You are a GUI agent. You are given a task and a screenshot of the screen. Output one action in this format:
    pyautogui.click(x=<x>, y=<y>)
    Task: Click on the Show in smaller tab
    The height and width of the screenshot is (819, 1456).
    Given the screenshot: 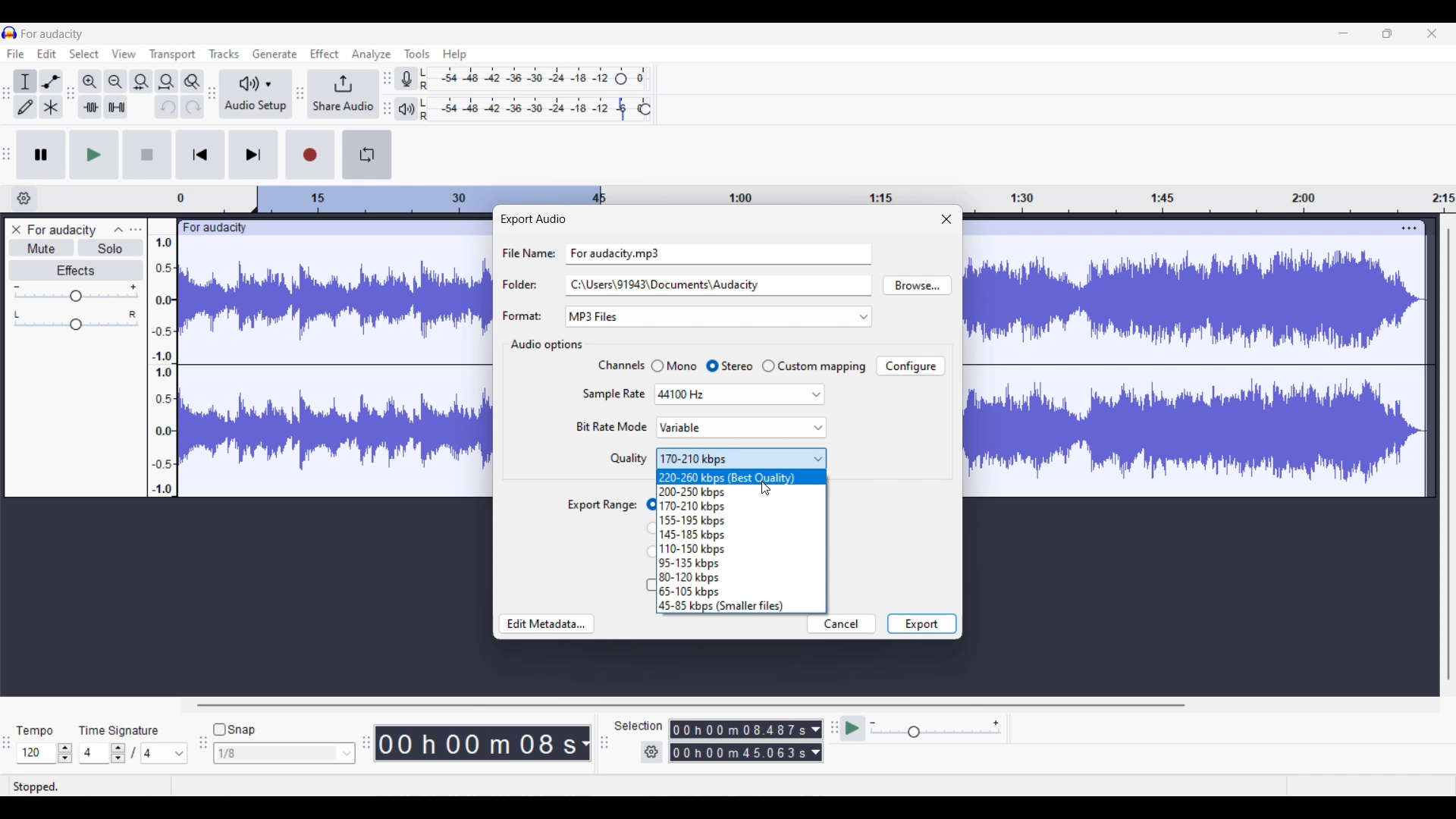 What is the action you would take?
    pyautogui.click(x=1387, y=33)
    